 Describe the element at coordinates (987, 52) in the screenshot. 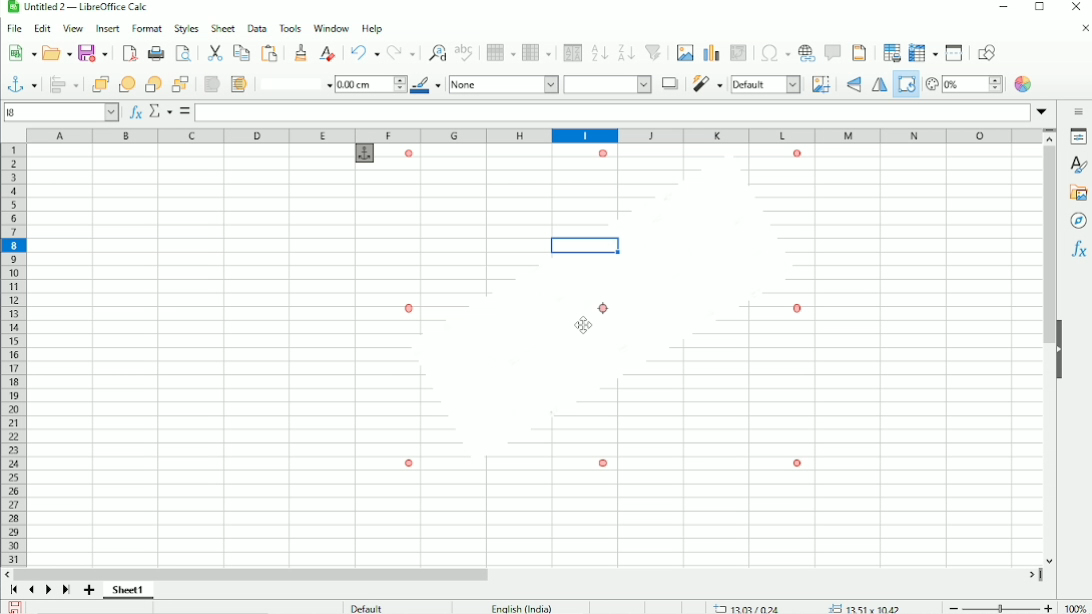

I see `Show draw functions` at that location.